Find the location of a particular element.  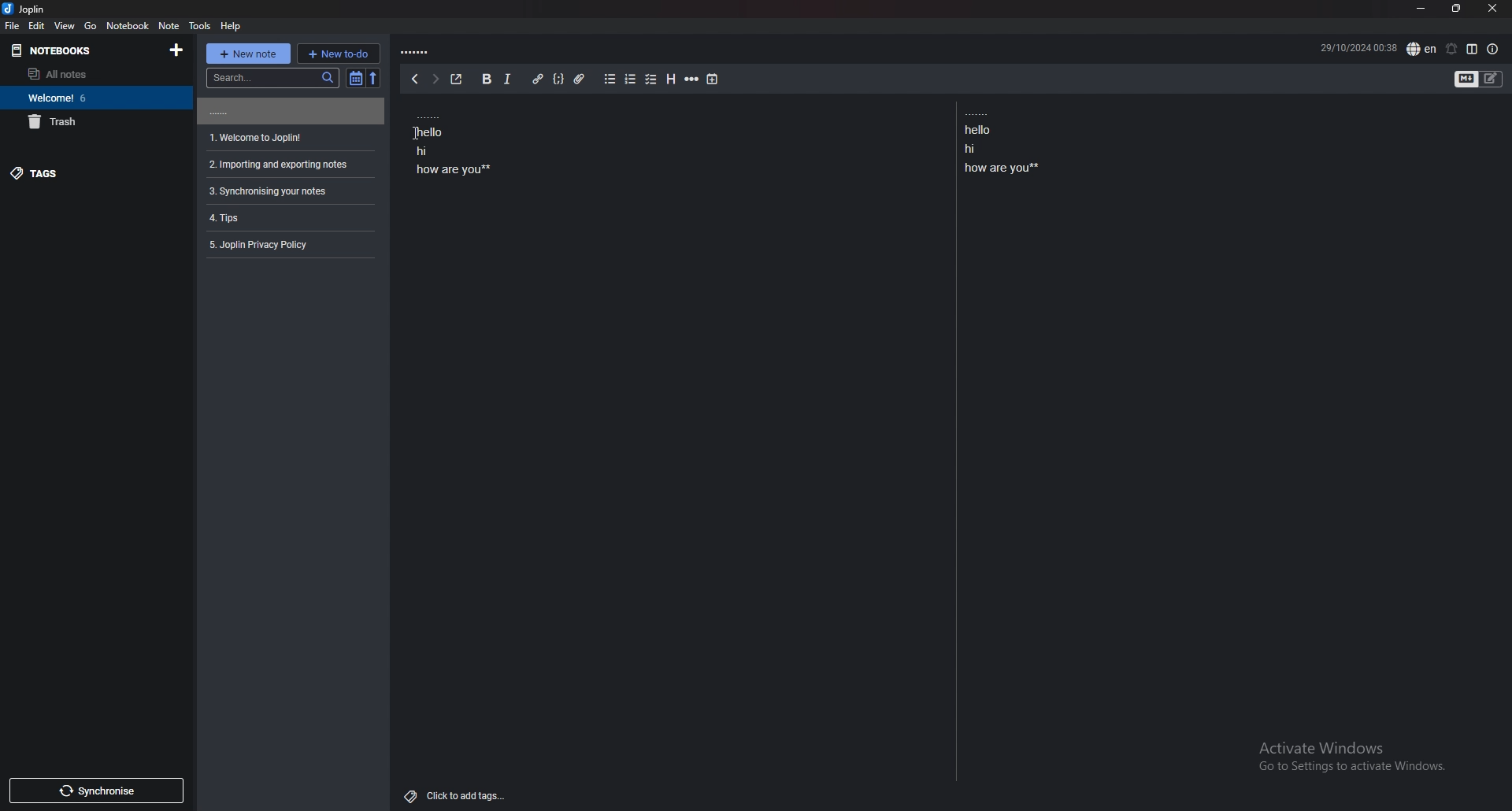

bulleted list is located at coordinates (610, 80).